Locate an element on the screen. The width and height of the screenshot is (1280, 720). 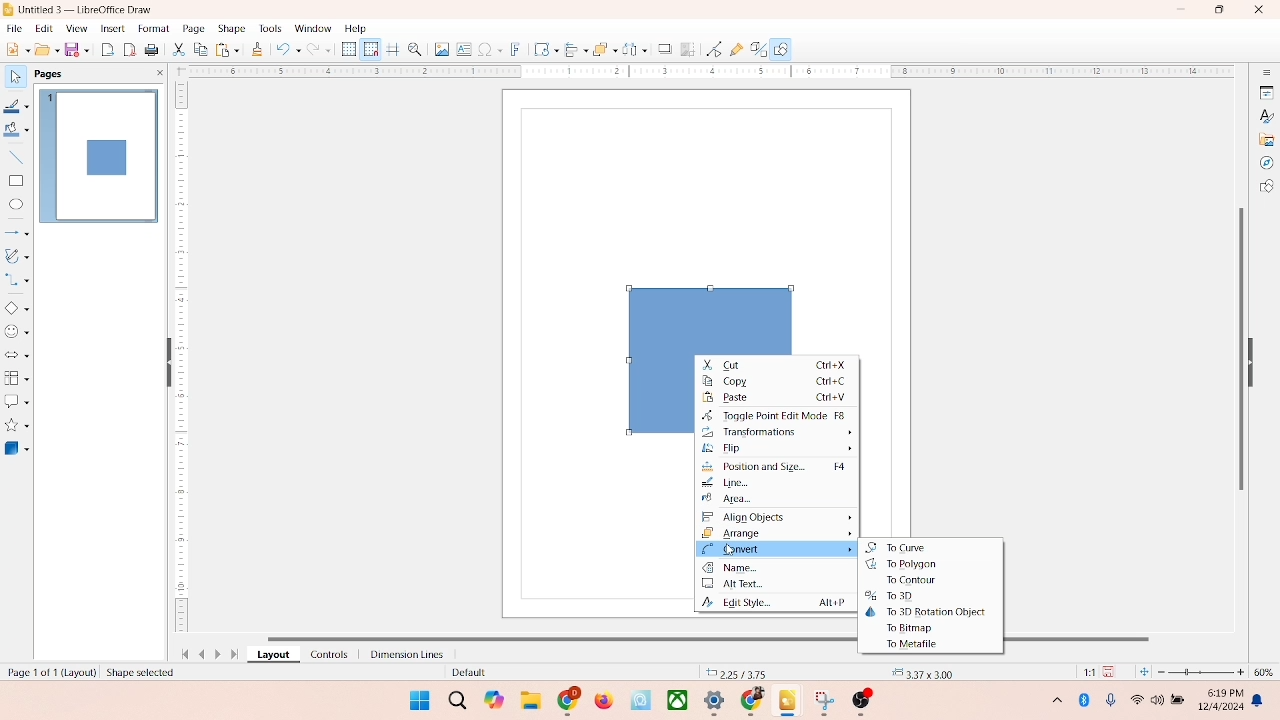
line is located at coordinates (728, 483).